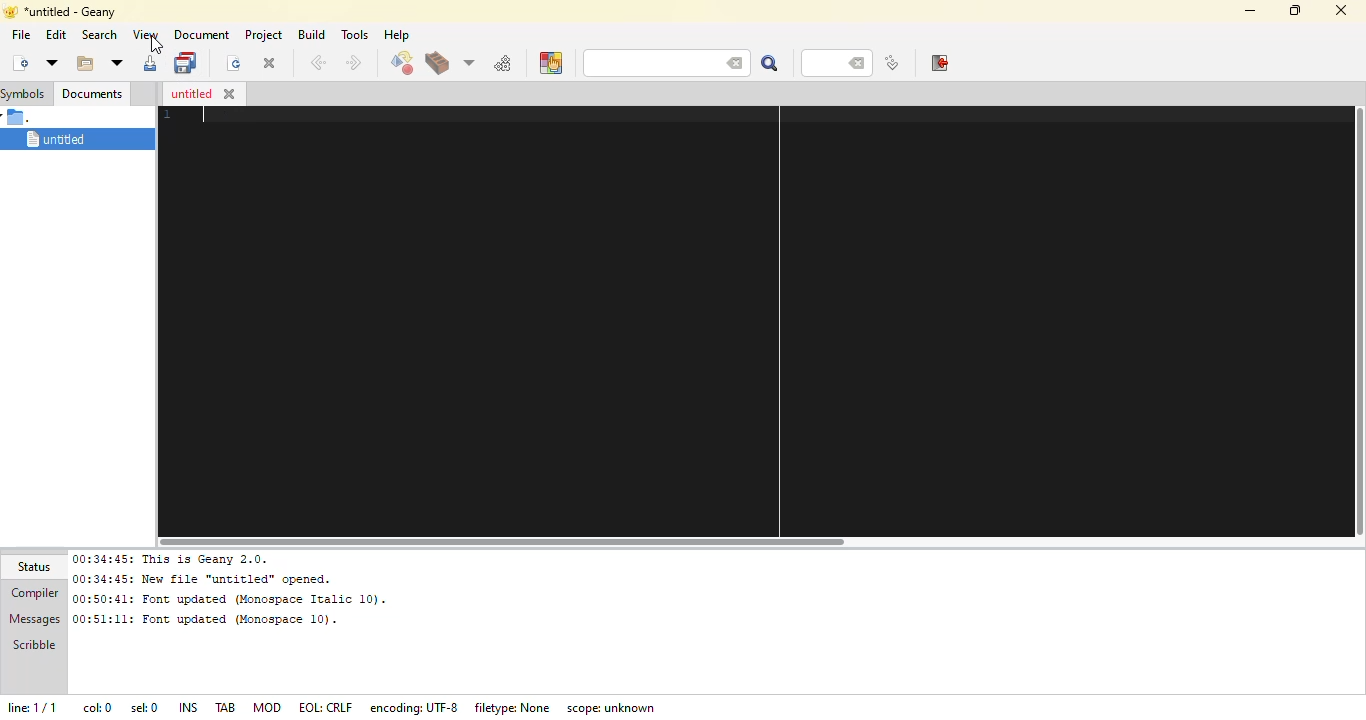 The height and width of the screenshot is (720, 1366). I want to click on work space, so click(744, 320).